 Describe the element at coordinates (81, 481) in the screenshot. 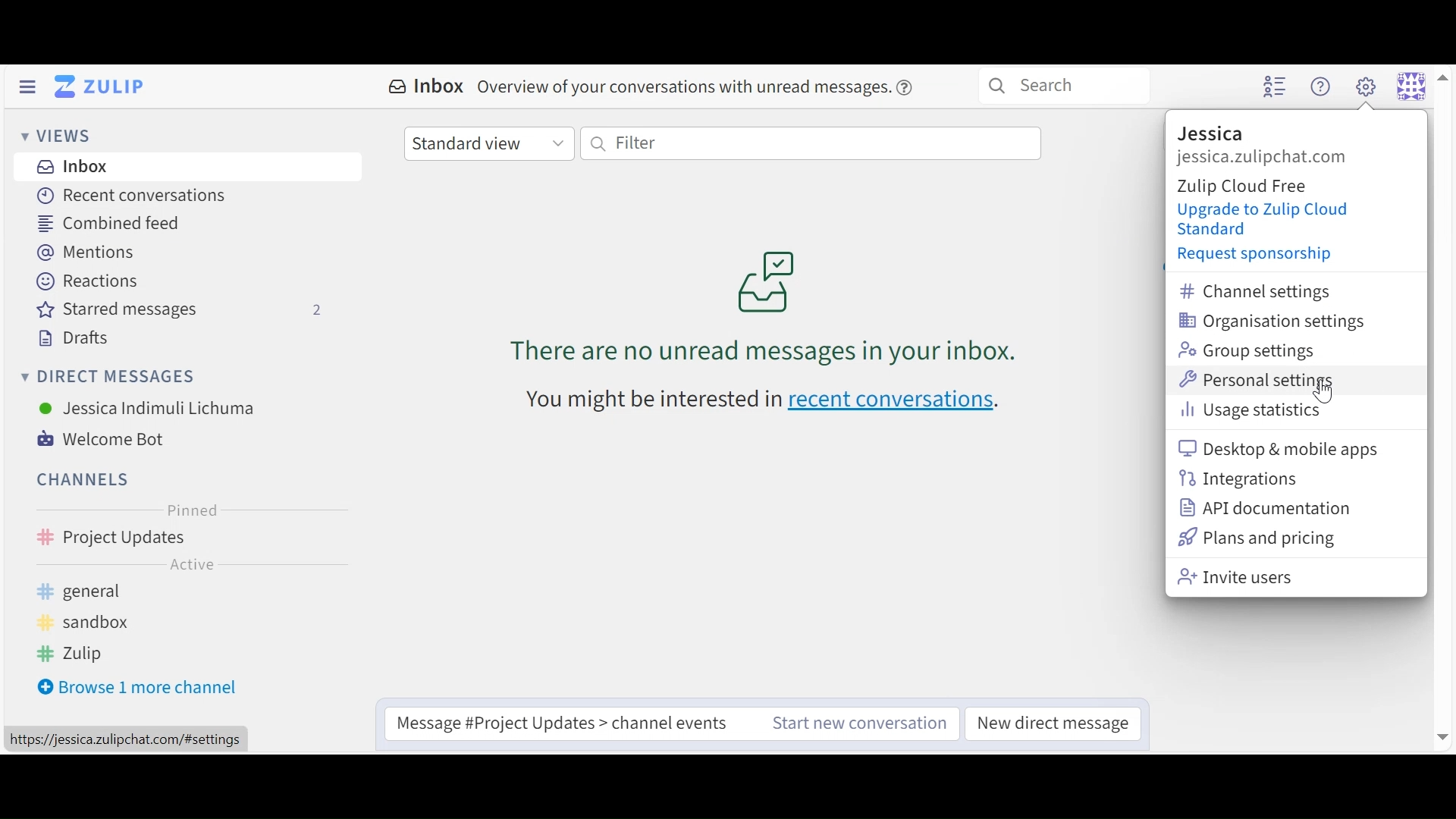

I see `Channels` at that location.